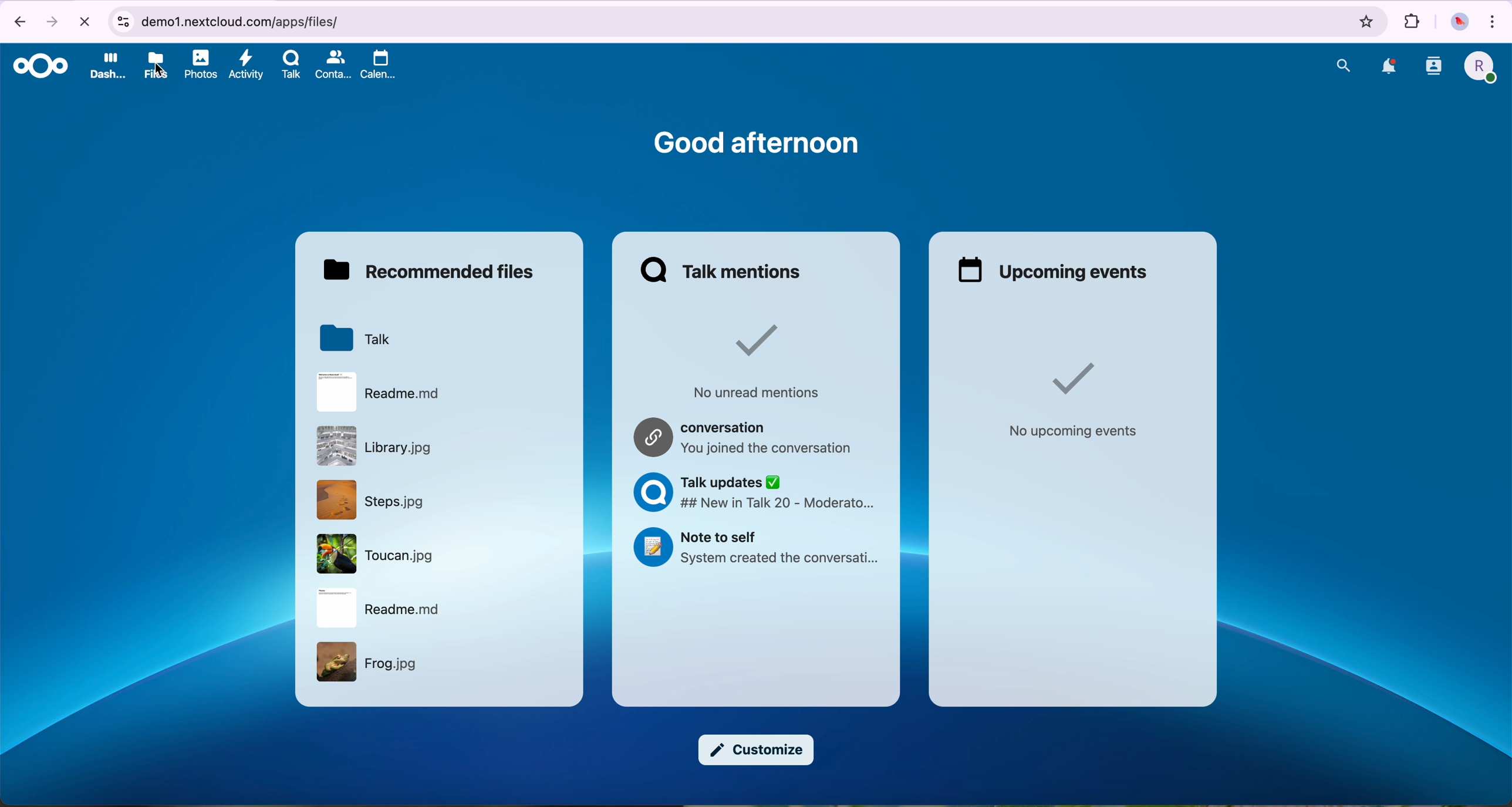  What do you see at coordinates (1433, 70) in the screenshot?
I see `contacts` at bounding box center [1433, 70].